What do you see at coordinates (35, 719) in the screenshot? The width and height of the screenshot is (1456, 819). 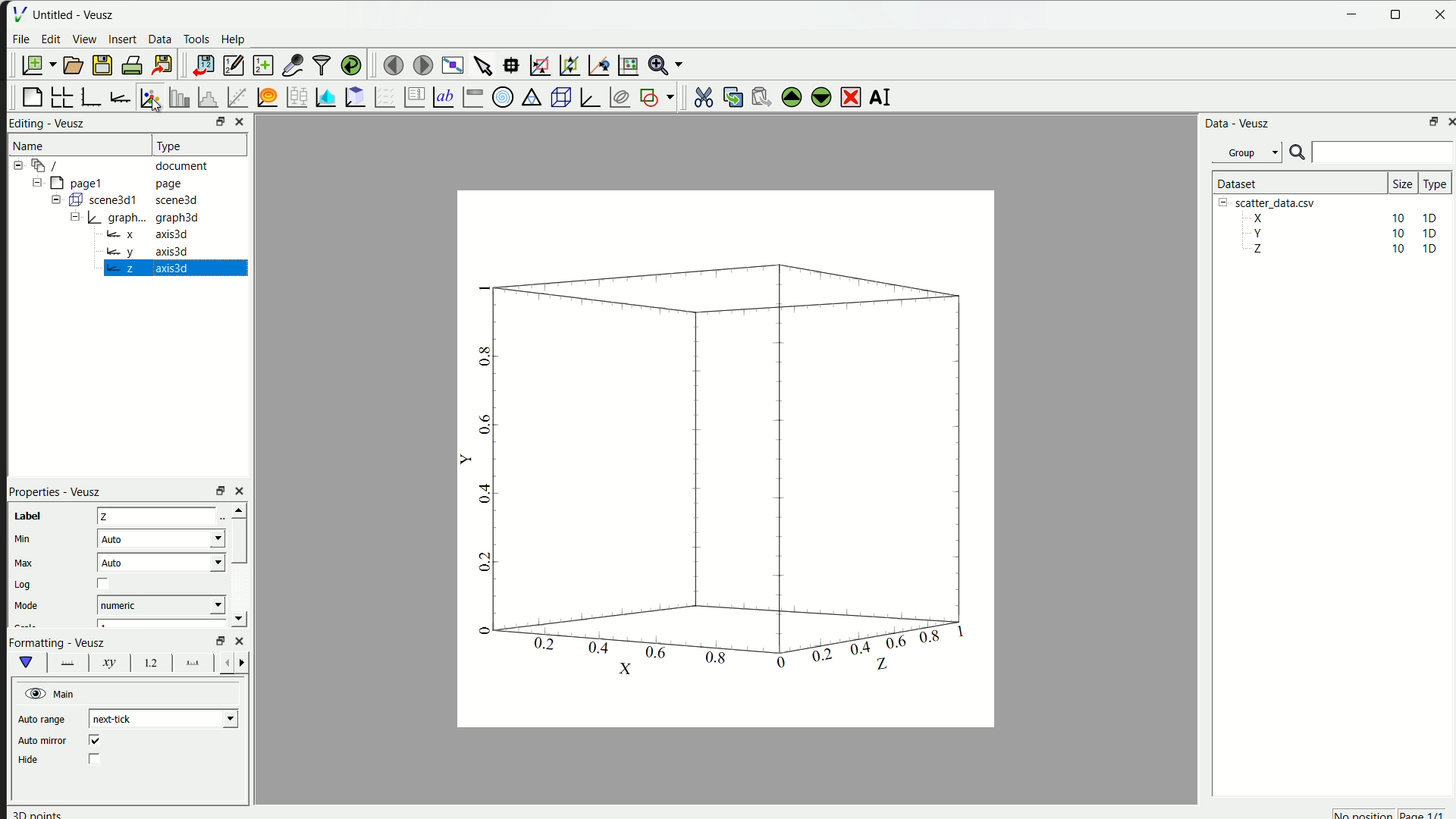 I see `| | Auto range` at bounding box center [35, 719].